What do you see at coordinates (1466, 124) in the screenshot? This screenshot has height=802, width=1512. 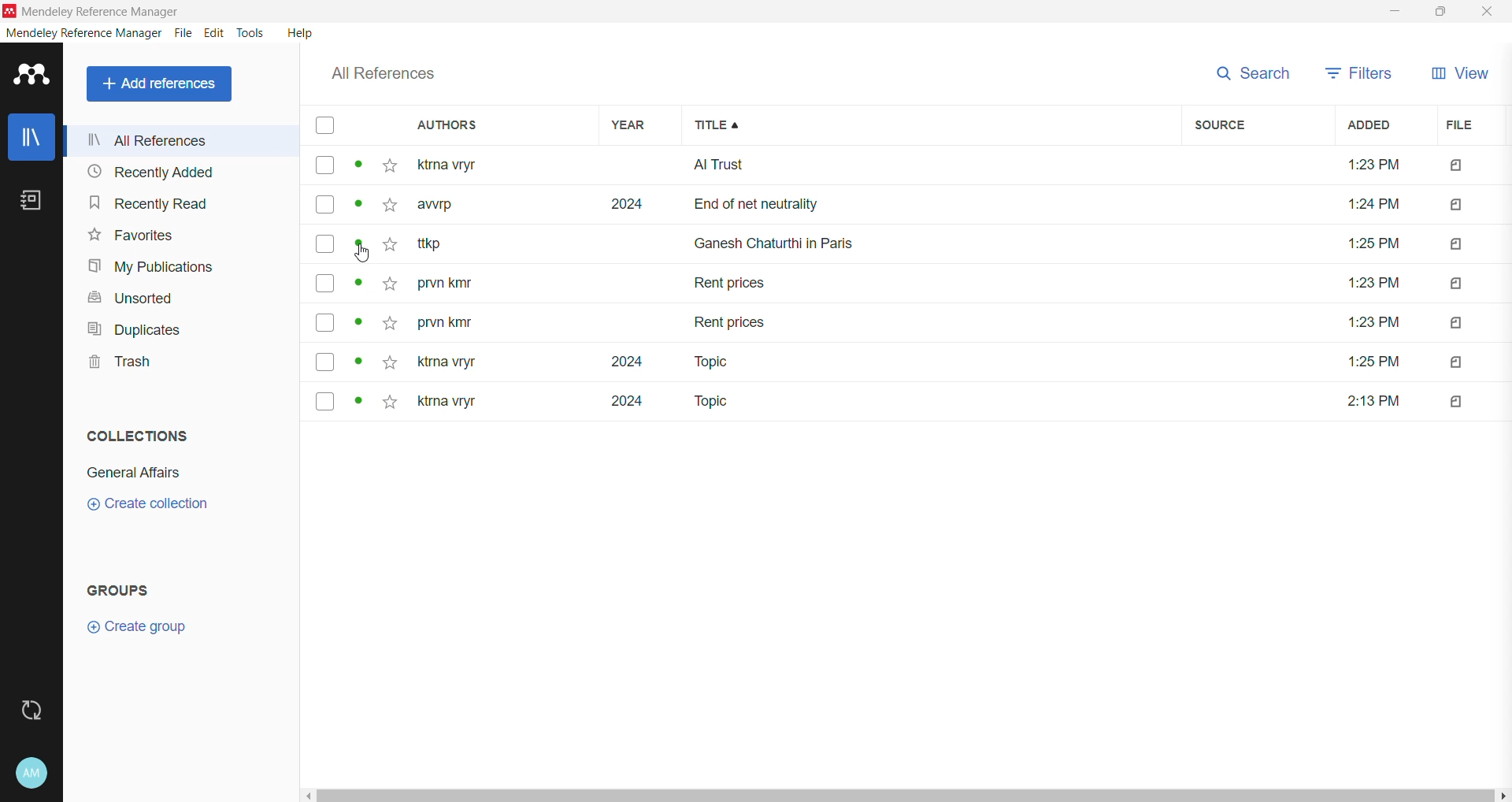 I see `File` at bounding box center [1466, 124].